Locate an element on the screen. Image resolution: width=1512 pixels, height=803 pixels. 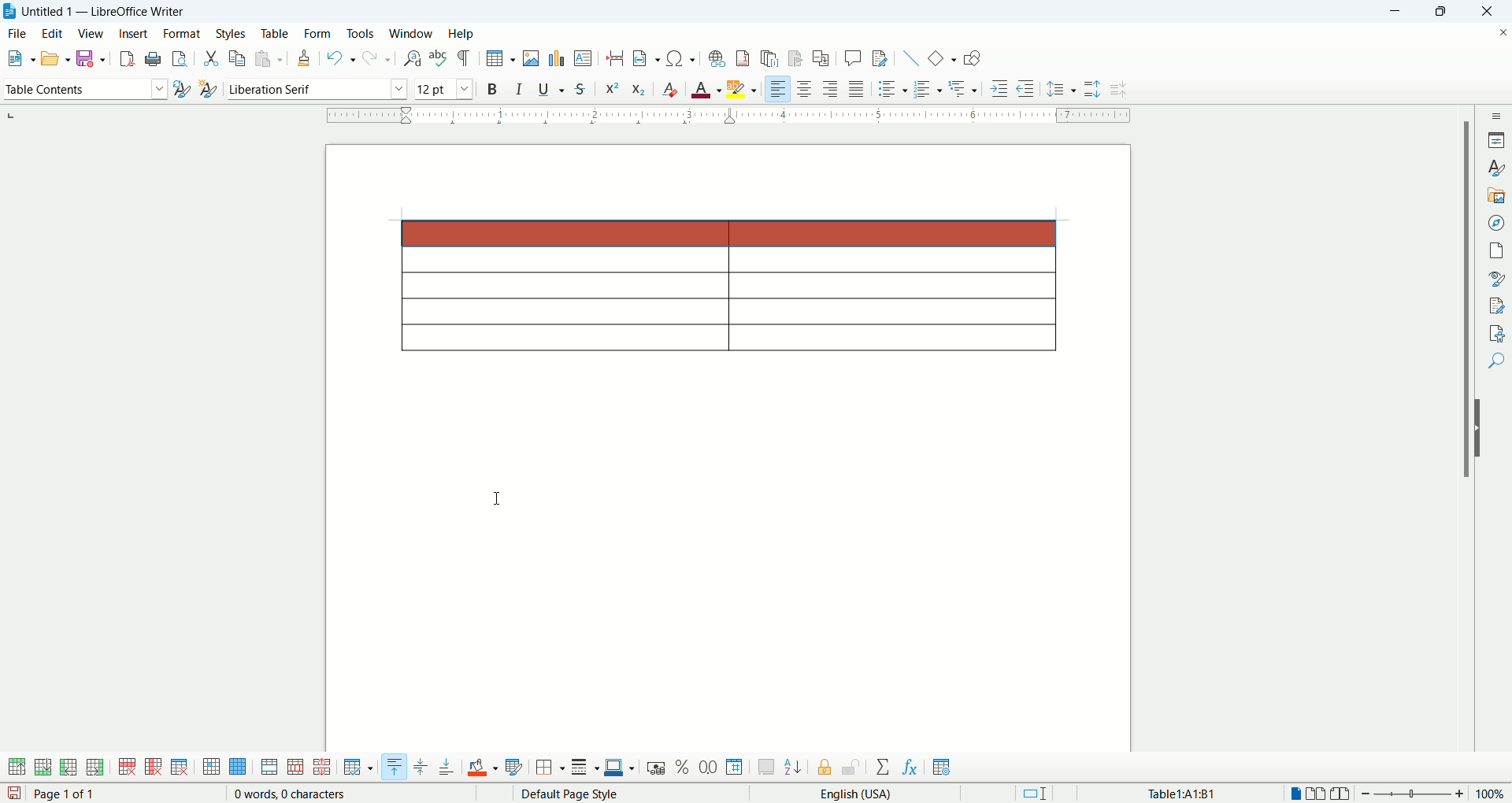
select cells is located at coordinates (211, 768).